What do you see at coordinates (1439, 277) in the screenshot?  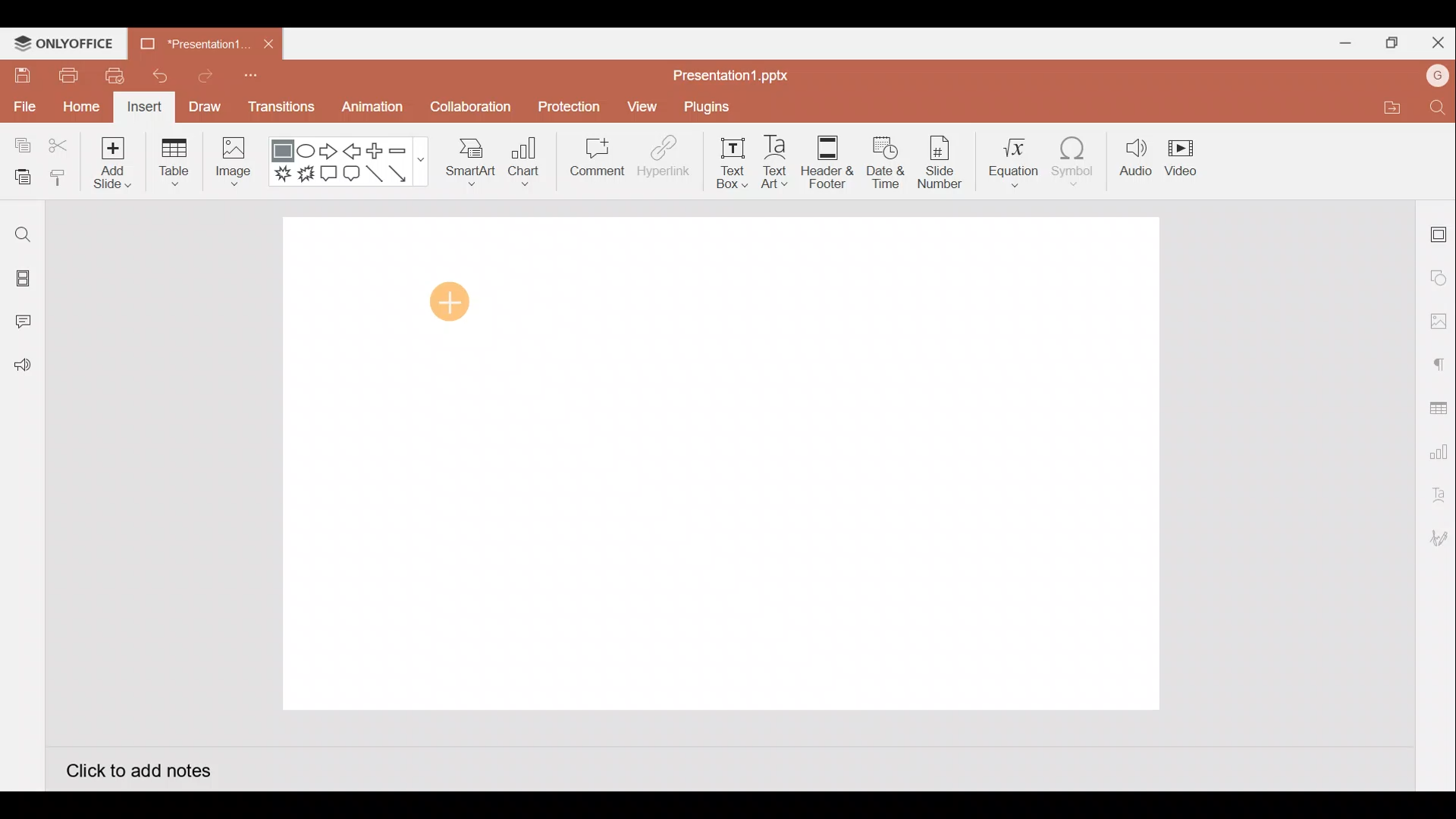 I see `Shape settings` at bounding box center [1439, 277].